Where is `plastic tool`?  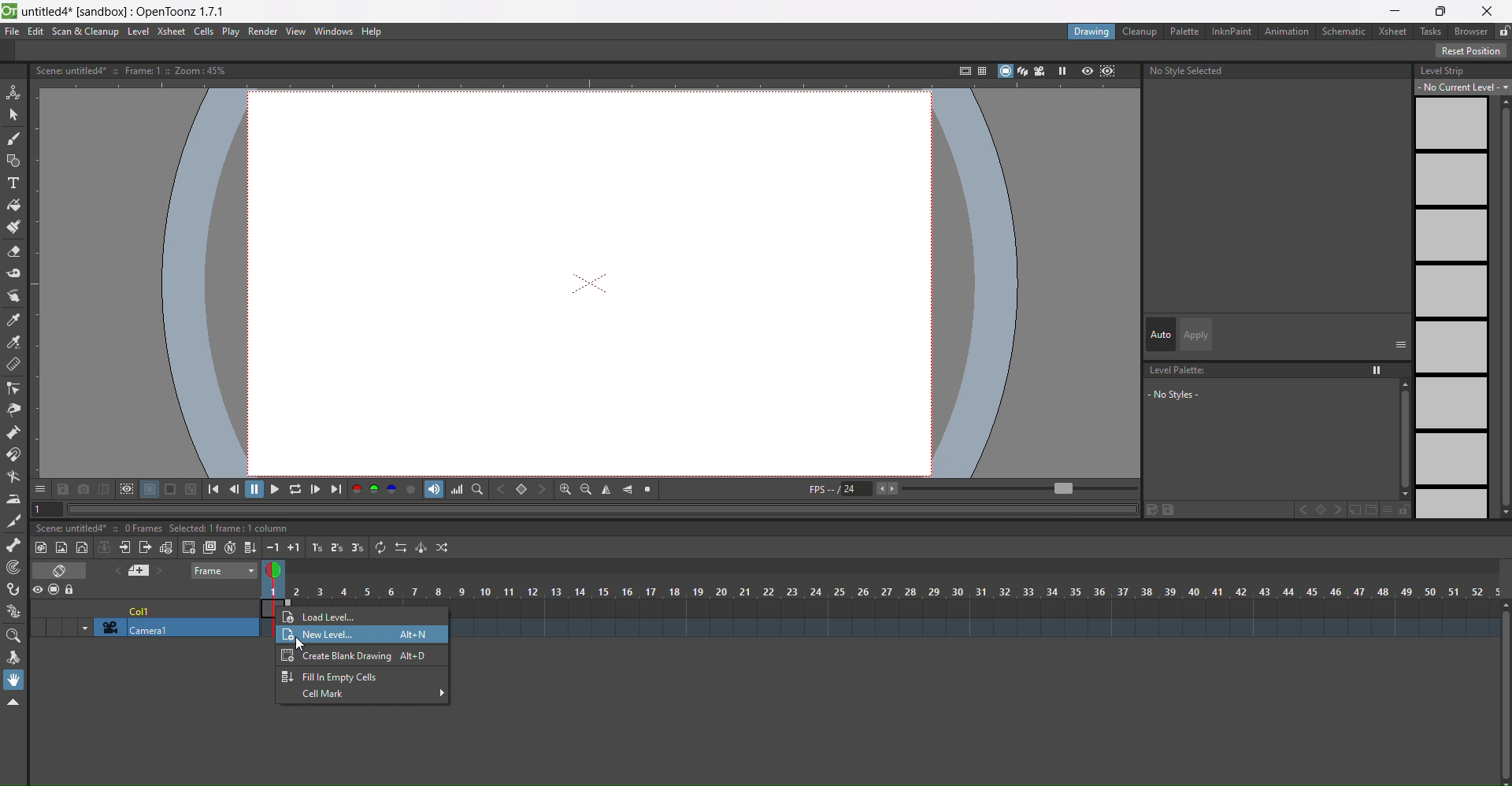
plastic tool is located at coordinates (13, 612).